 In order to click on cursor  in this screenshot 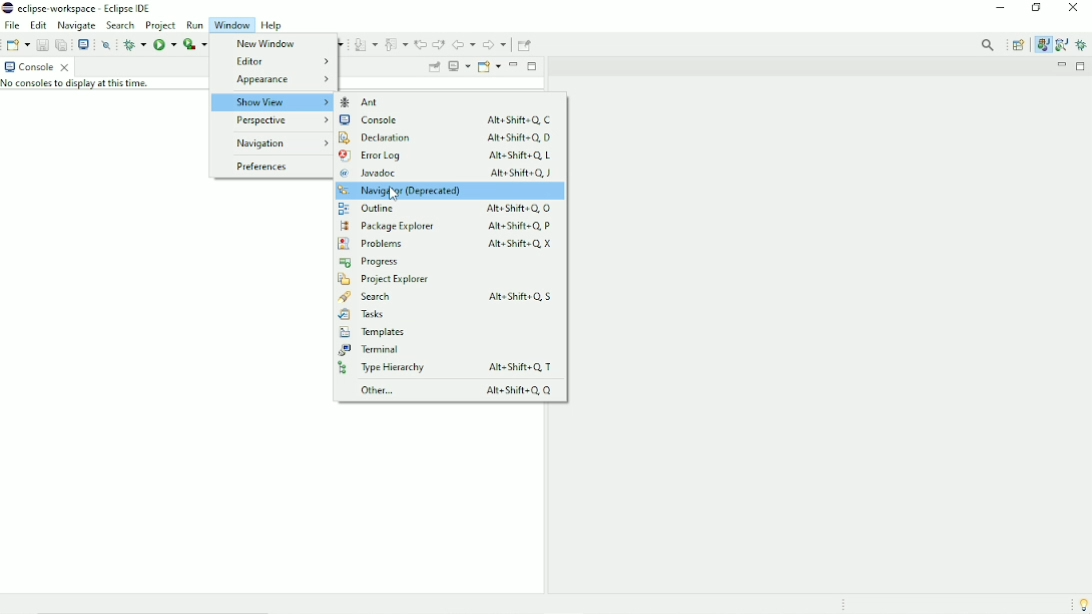, I will do `click(396, 193)`.